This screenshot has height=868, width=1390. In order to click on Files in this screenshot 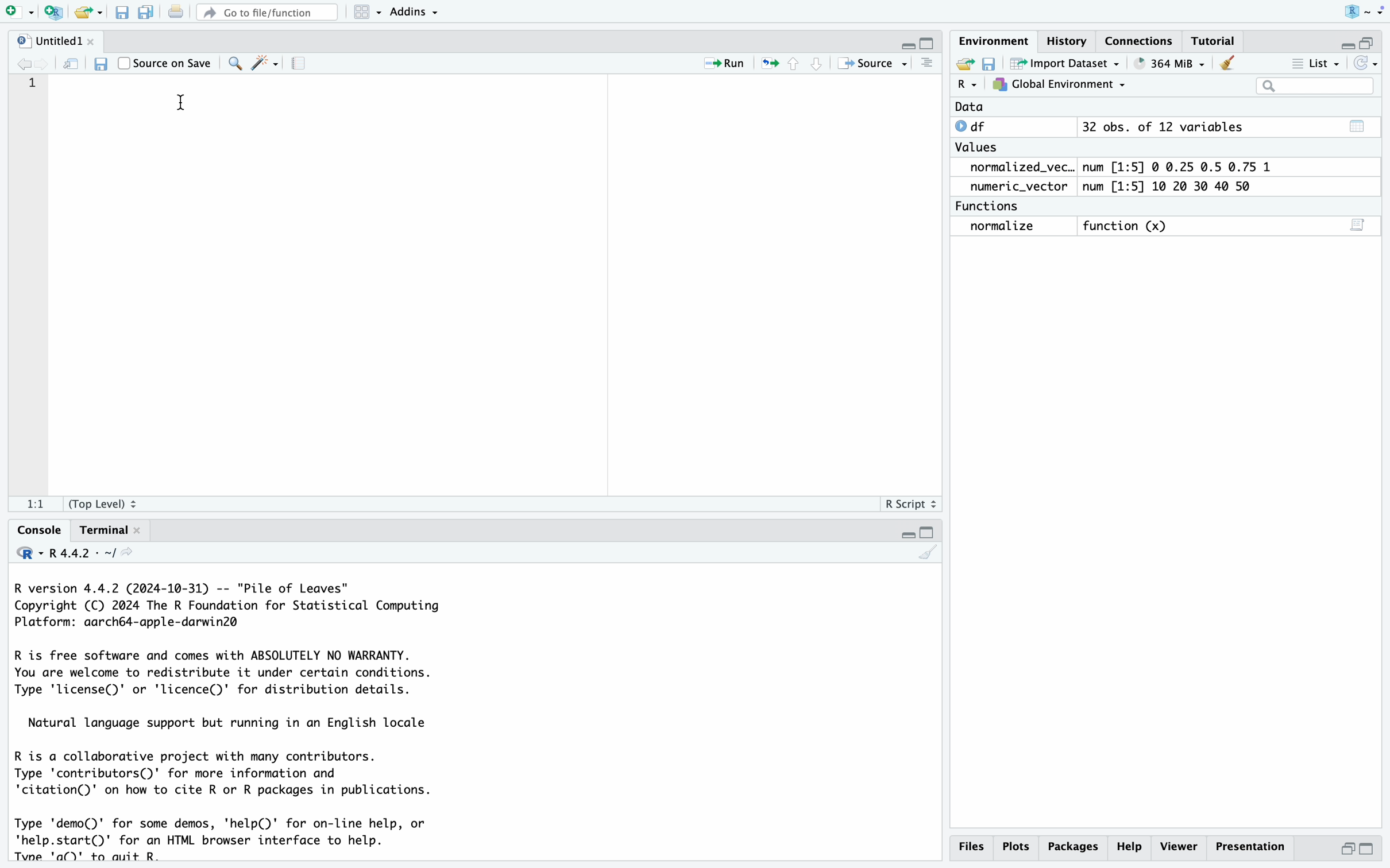, I will do `click(970, 846)`.